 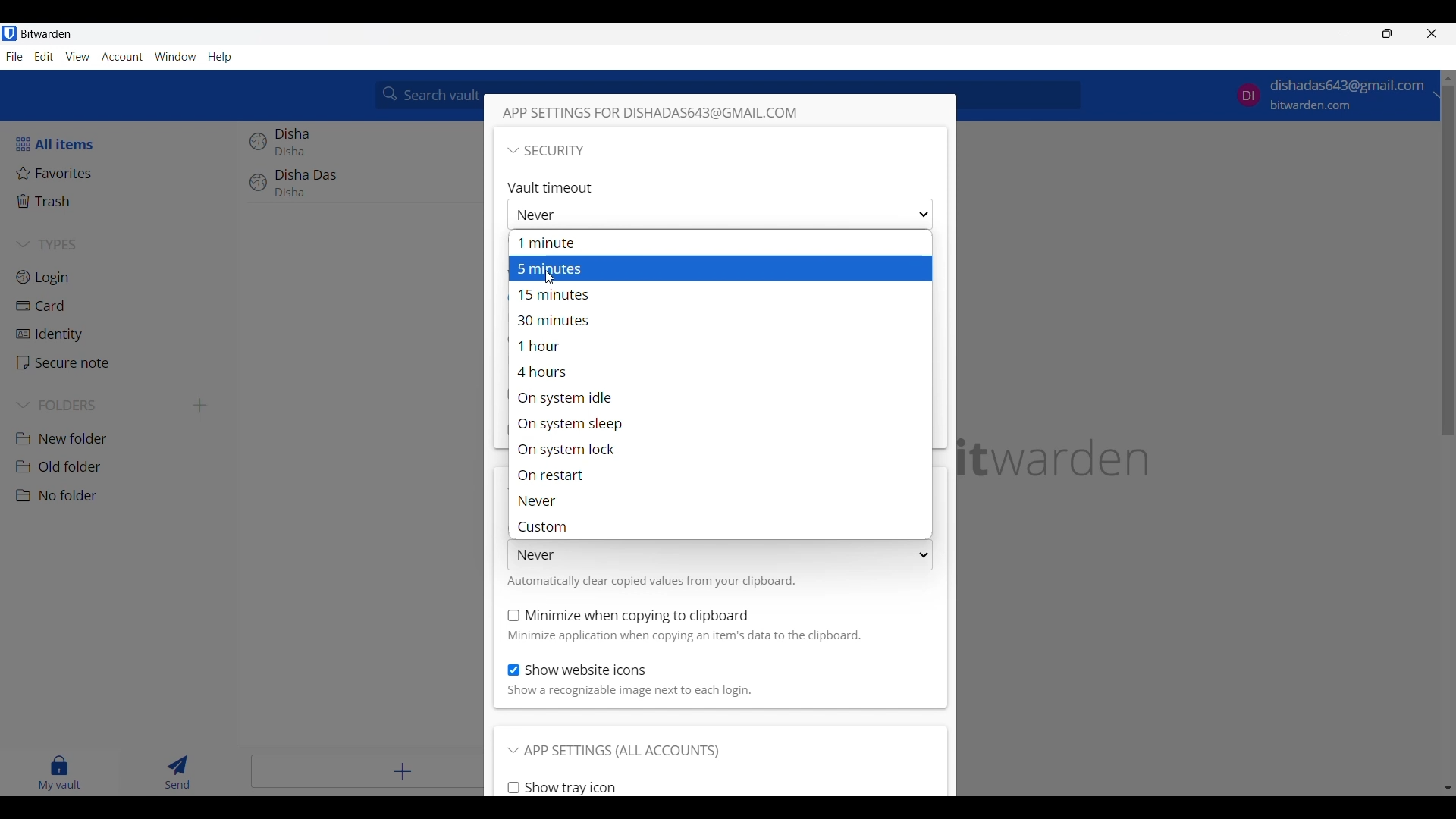 What do you see at coordinates (562, 788) in the screenshot?
I see `Toggle for Show tray icon` at bounding box center [562, 788].